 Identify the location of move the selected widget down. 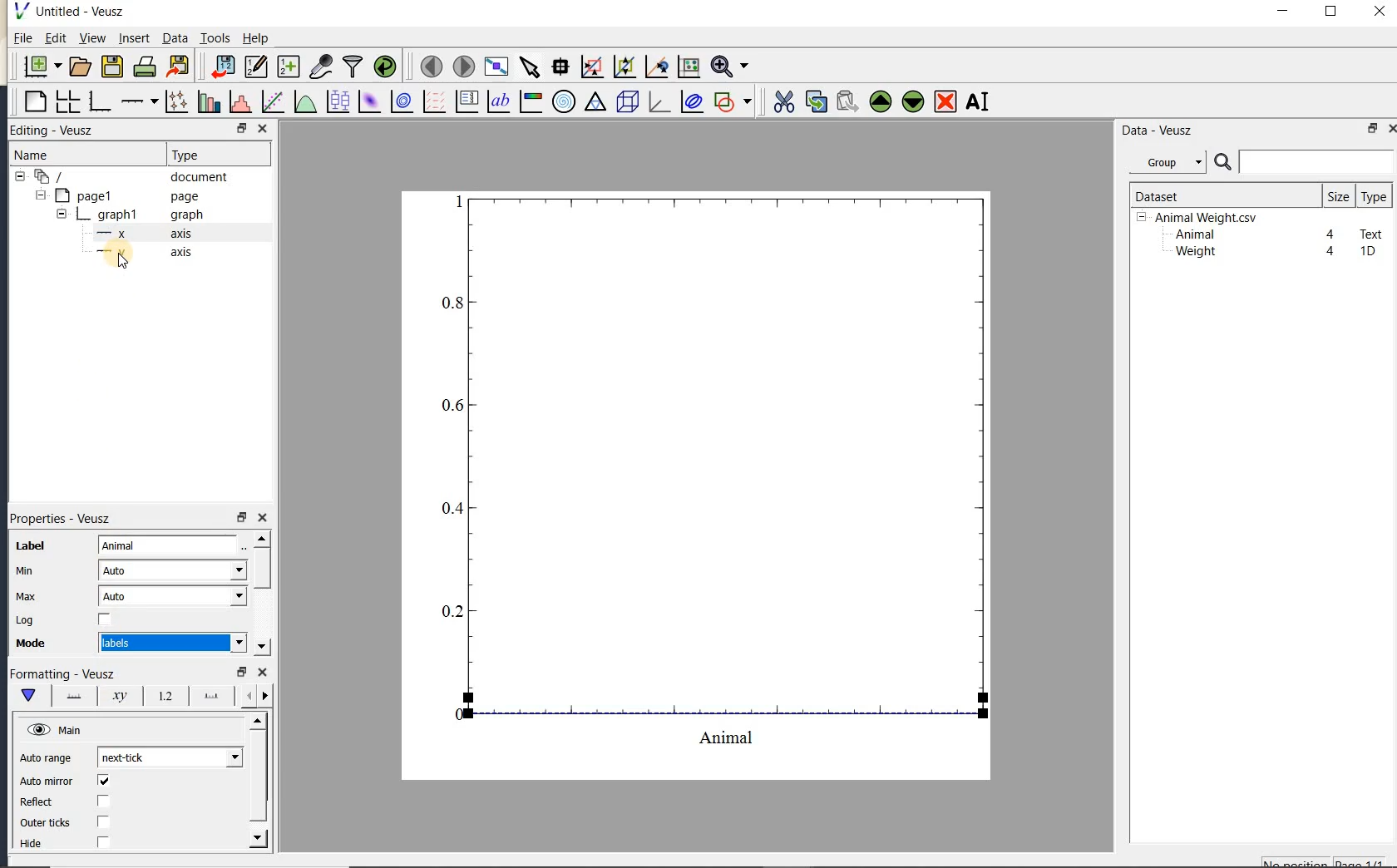
(913, 101).